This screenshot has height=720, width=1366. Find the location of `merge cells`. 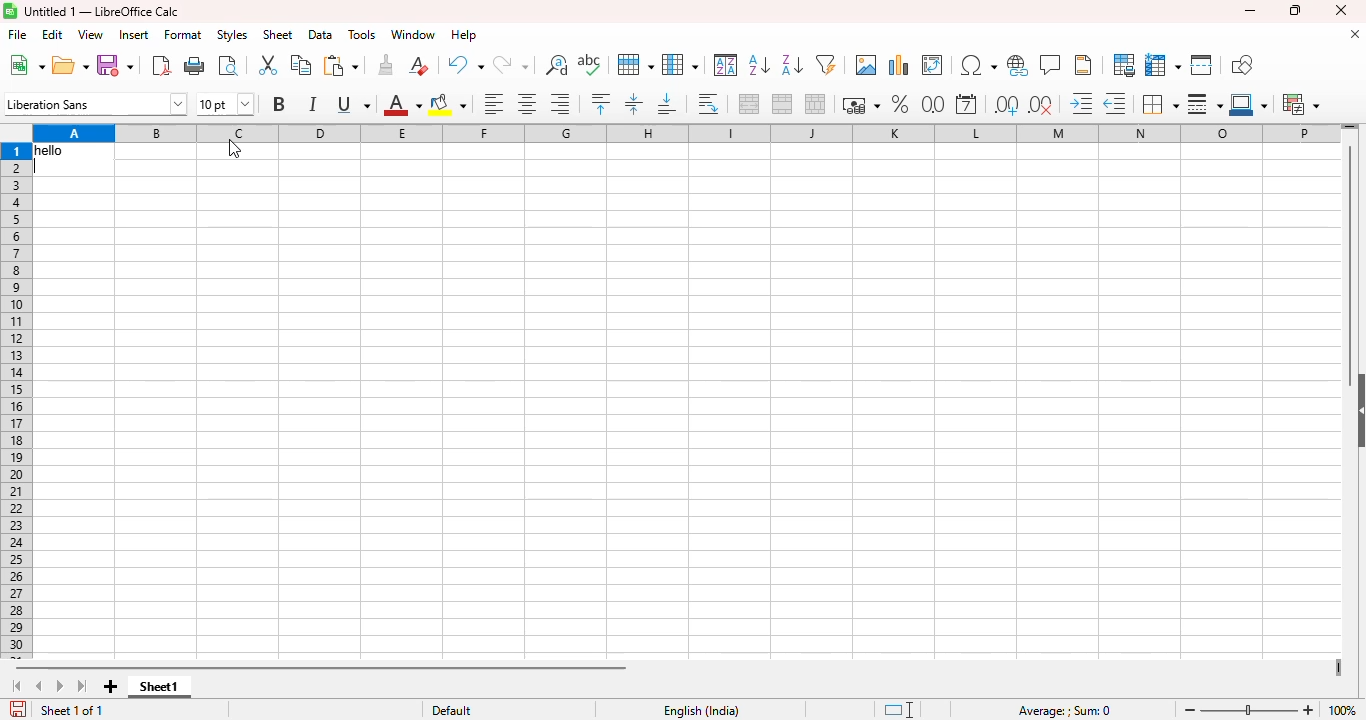

merge cells is located at coordinates (783, 104).